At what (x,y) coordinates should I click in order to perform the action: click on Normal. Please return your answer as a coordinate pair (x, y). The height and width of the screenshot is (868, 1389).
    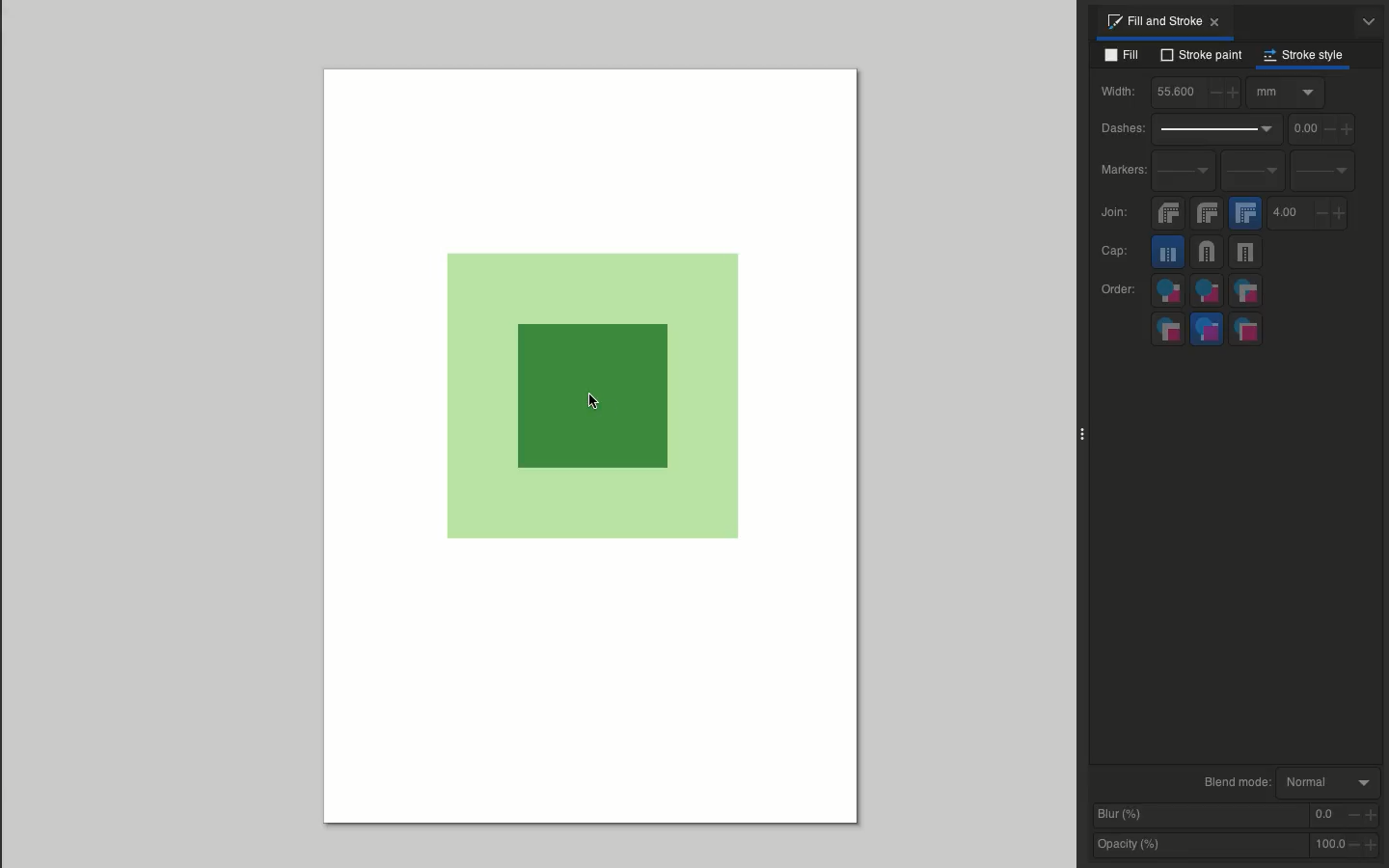
    Looking at the image, I should click on (1327, 782).